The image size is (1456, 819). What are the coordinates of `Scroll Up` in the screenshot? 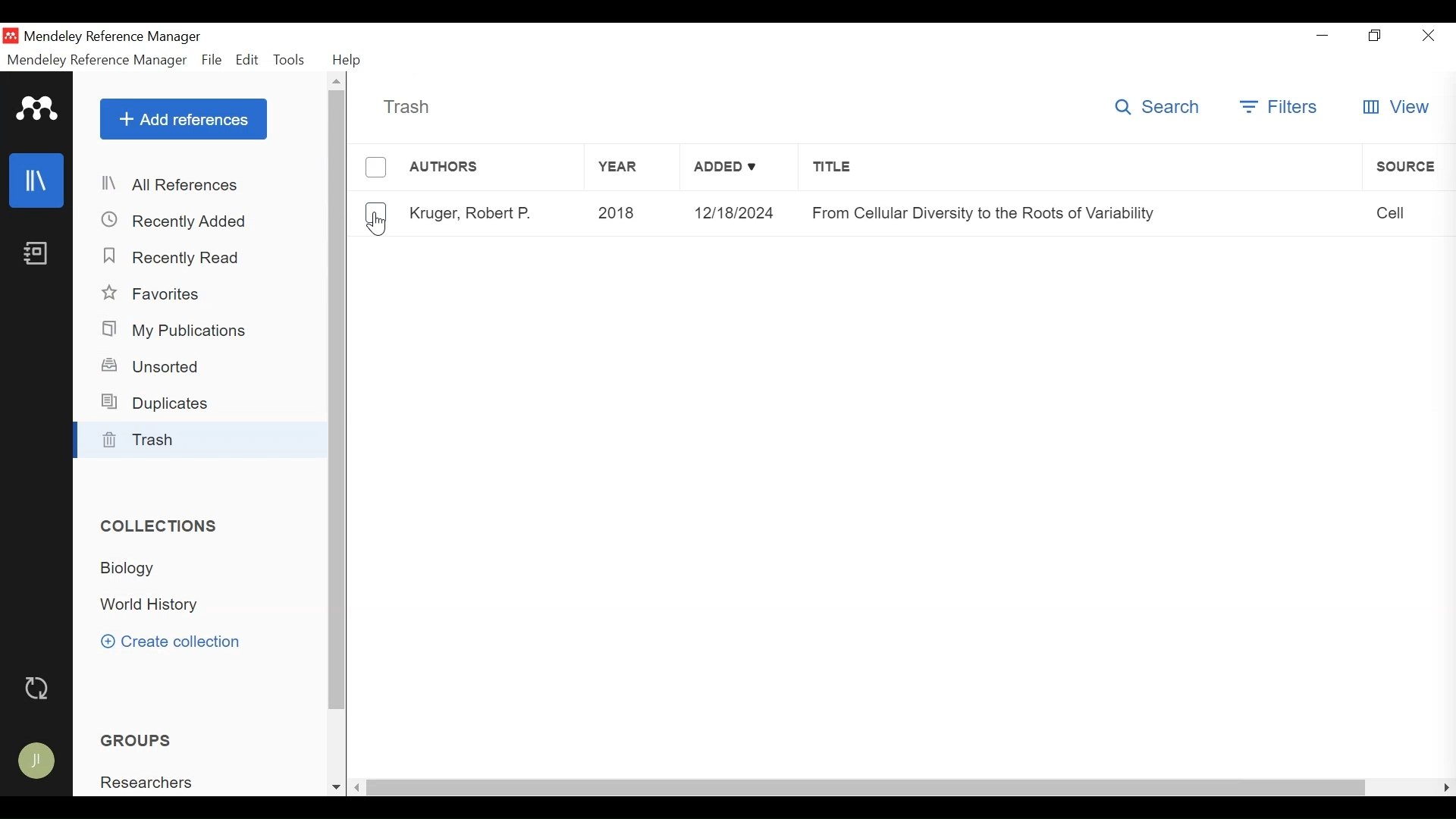 It's located at (336, 80).